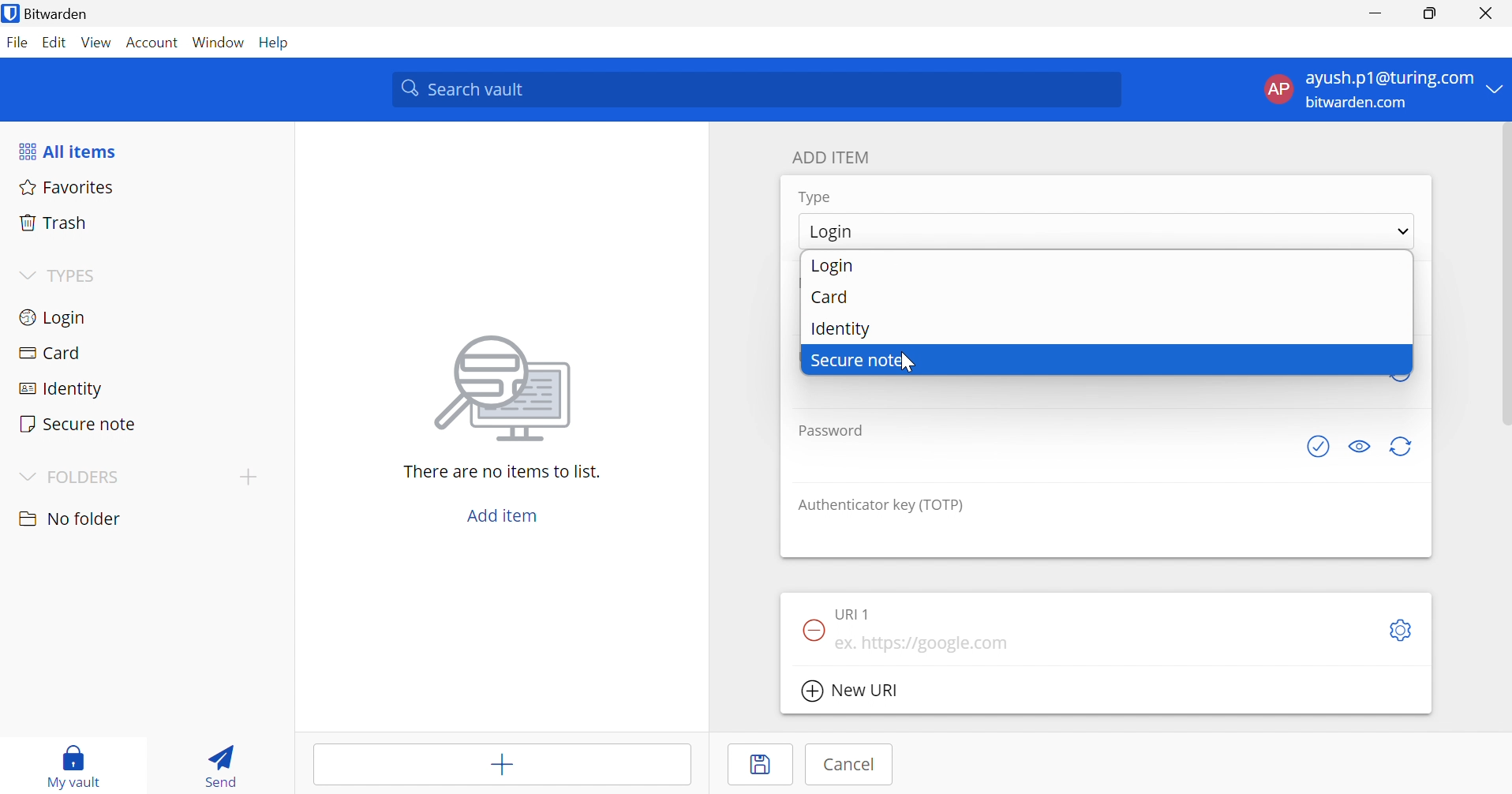 The image size is (1512, 794). I want to click on Toggle Visibility, so click(1360, 448).